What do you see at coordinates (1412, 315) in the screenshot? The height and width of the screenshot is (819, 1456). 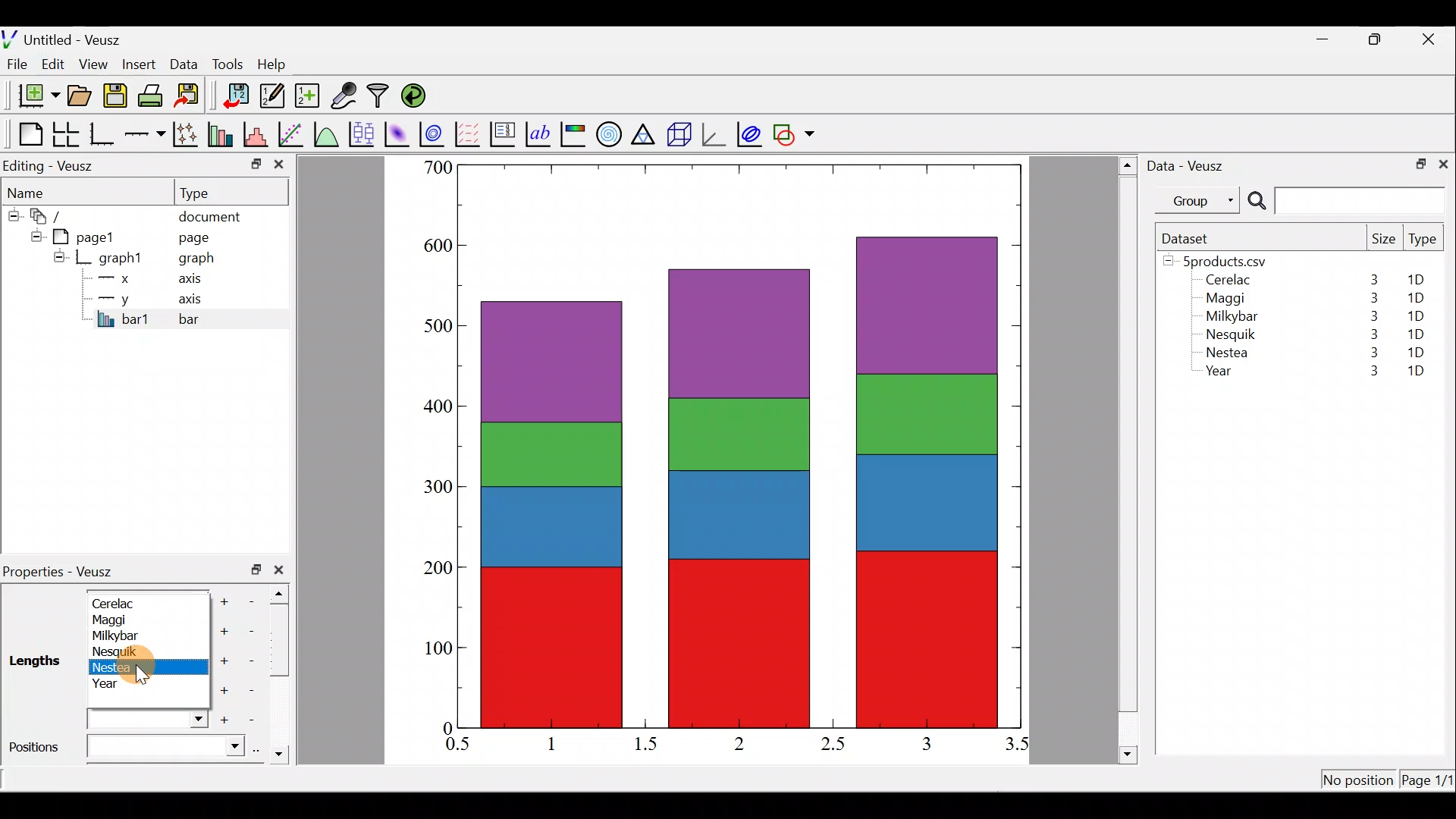 I see `1D` at bounding box center [1412, 315].